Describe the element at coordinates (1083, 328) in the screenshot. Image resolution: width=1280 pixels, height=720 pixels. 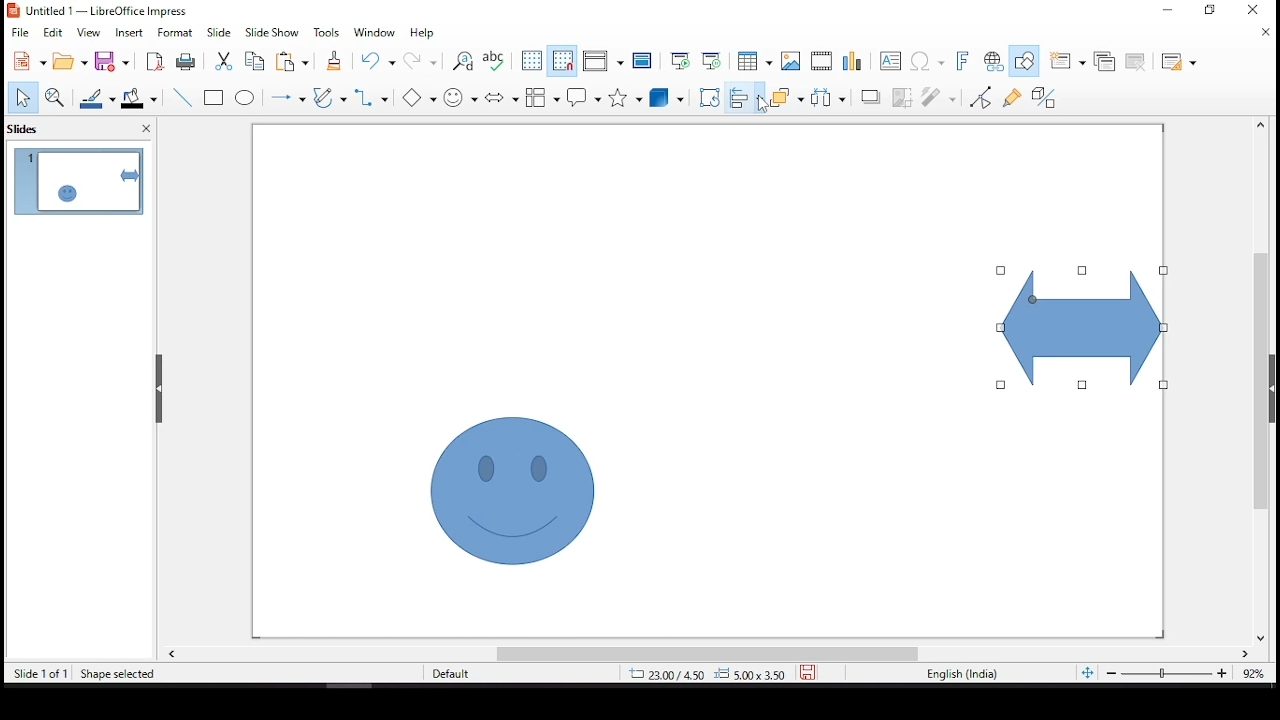
I see `shape` at that location.